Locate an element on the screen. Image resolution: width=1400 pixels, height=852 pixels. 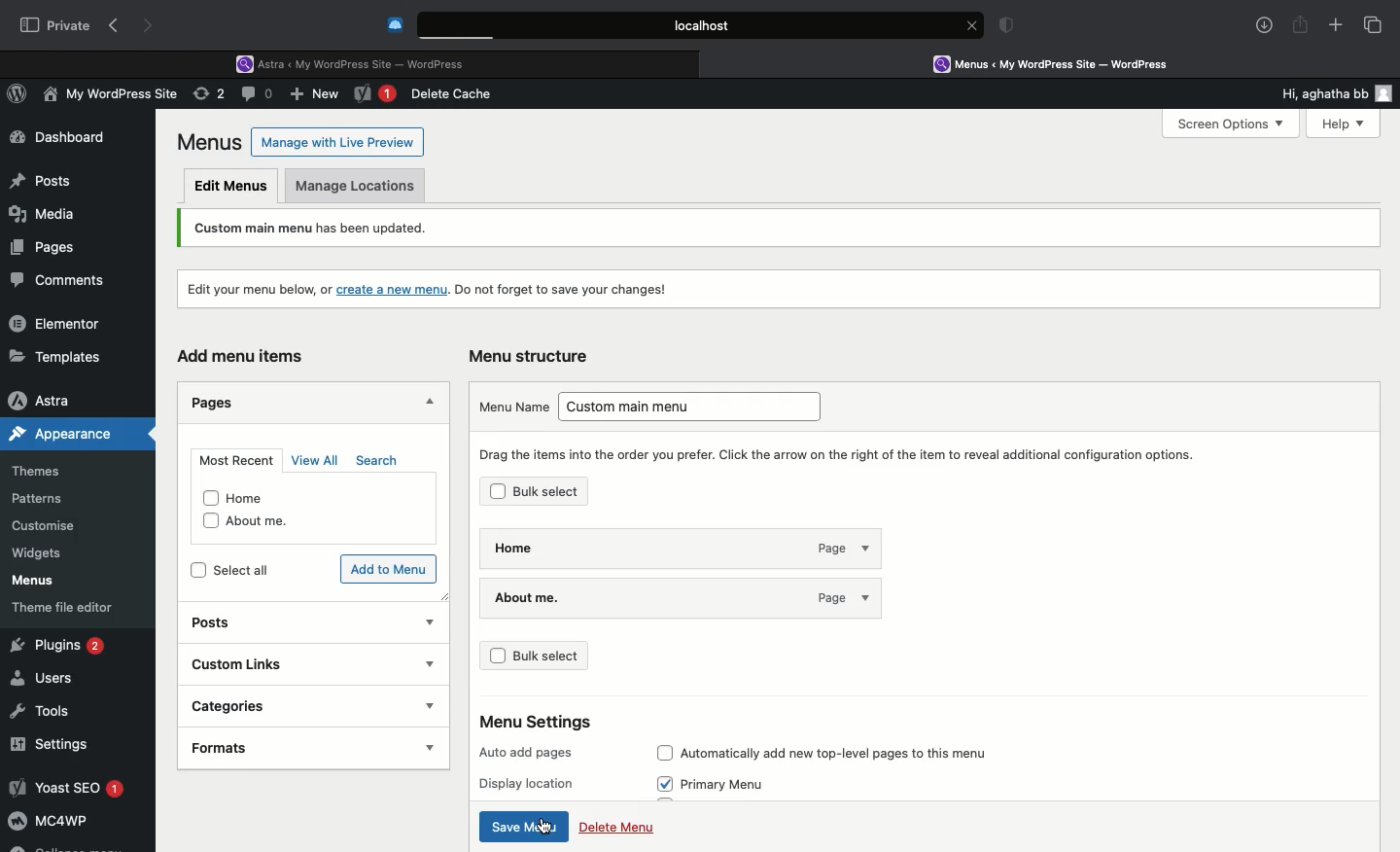
Hide is located at coordinates (426, 399).